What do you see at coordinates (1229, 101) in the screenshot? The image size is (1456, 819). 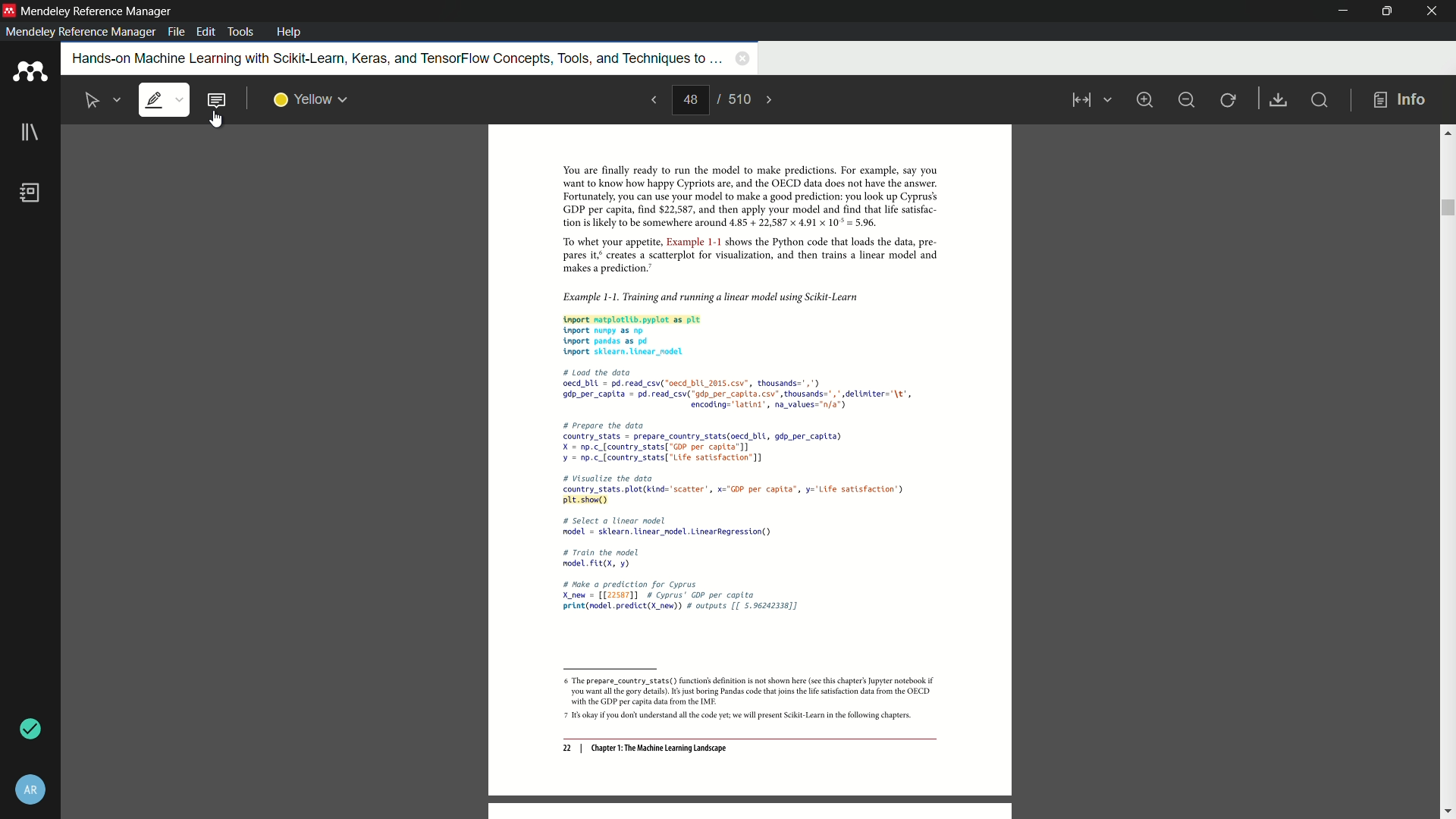 I see `rotate` at bounding box center [1229, 101].